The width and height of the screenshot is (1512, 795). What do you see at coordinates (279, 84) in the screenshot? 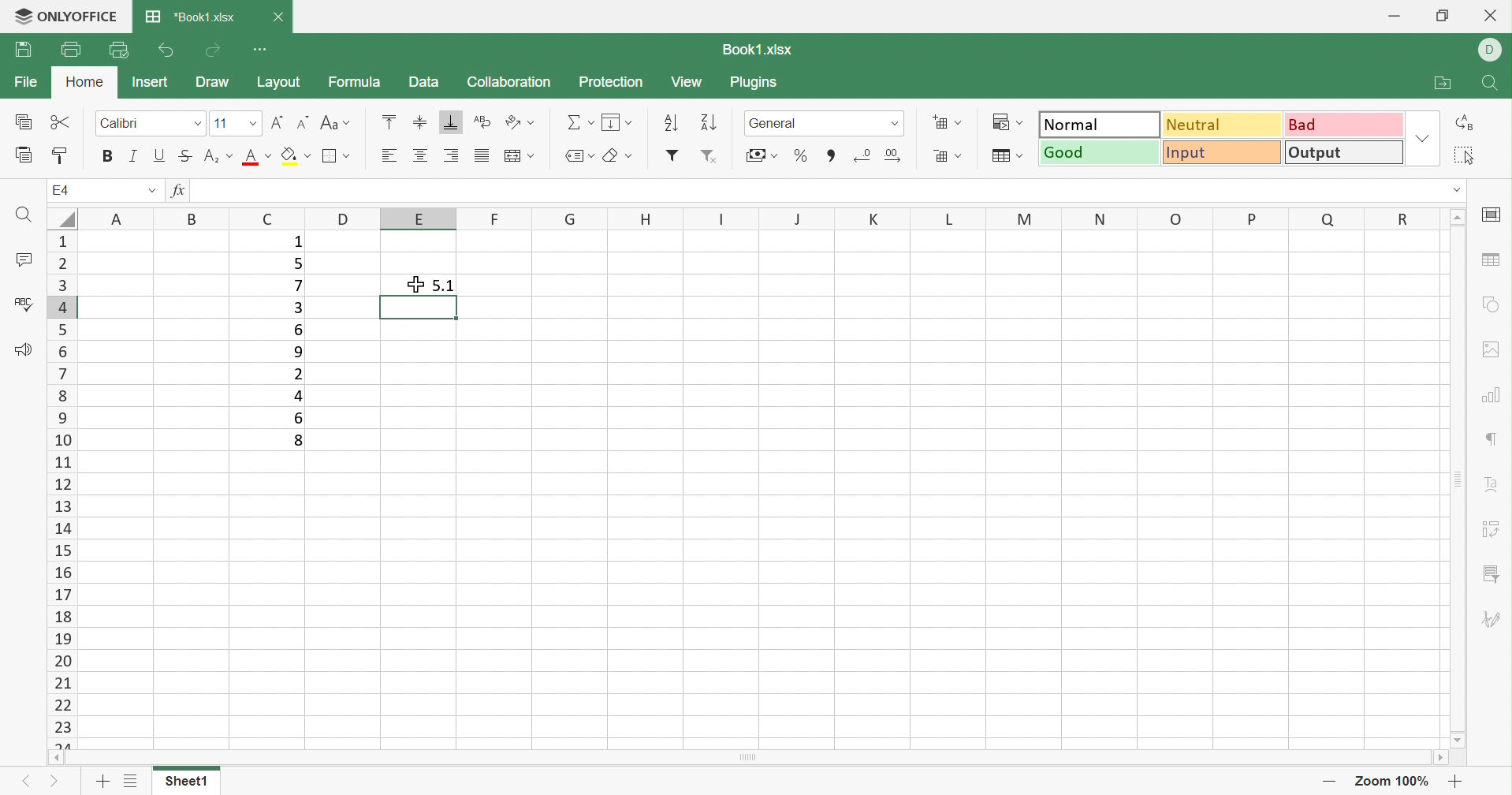
I see `Layout` at bounding box center [279, 84].